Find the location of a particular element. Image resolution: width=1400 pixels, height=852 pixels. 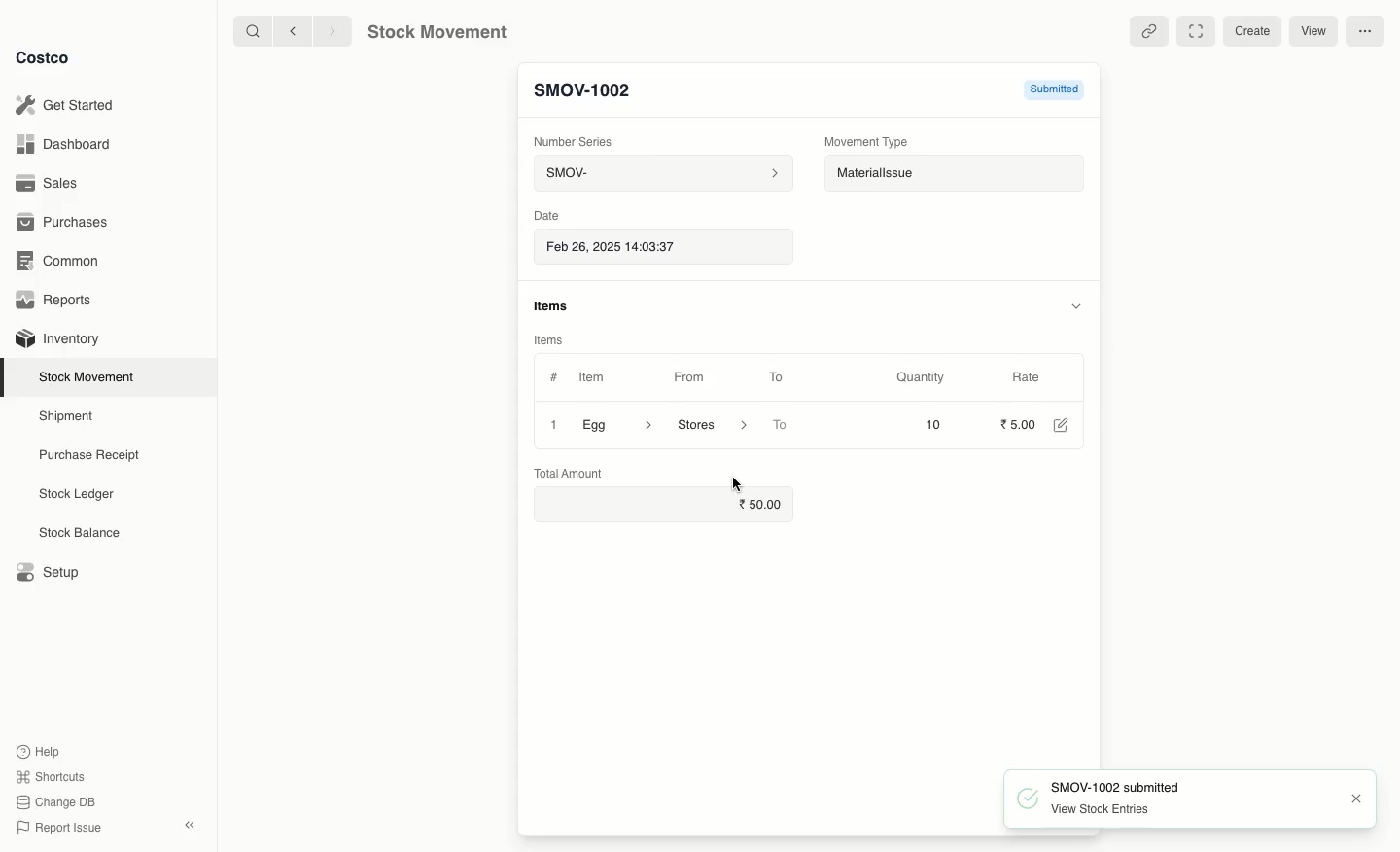

SMOV- is located at coordinates (663, 172).